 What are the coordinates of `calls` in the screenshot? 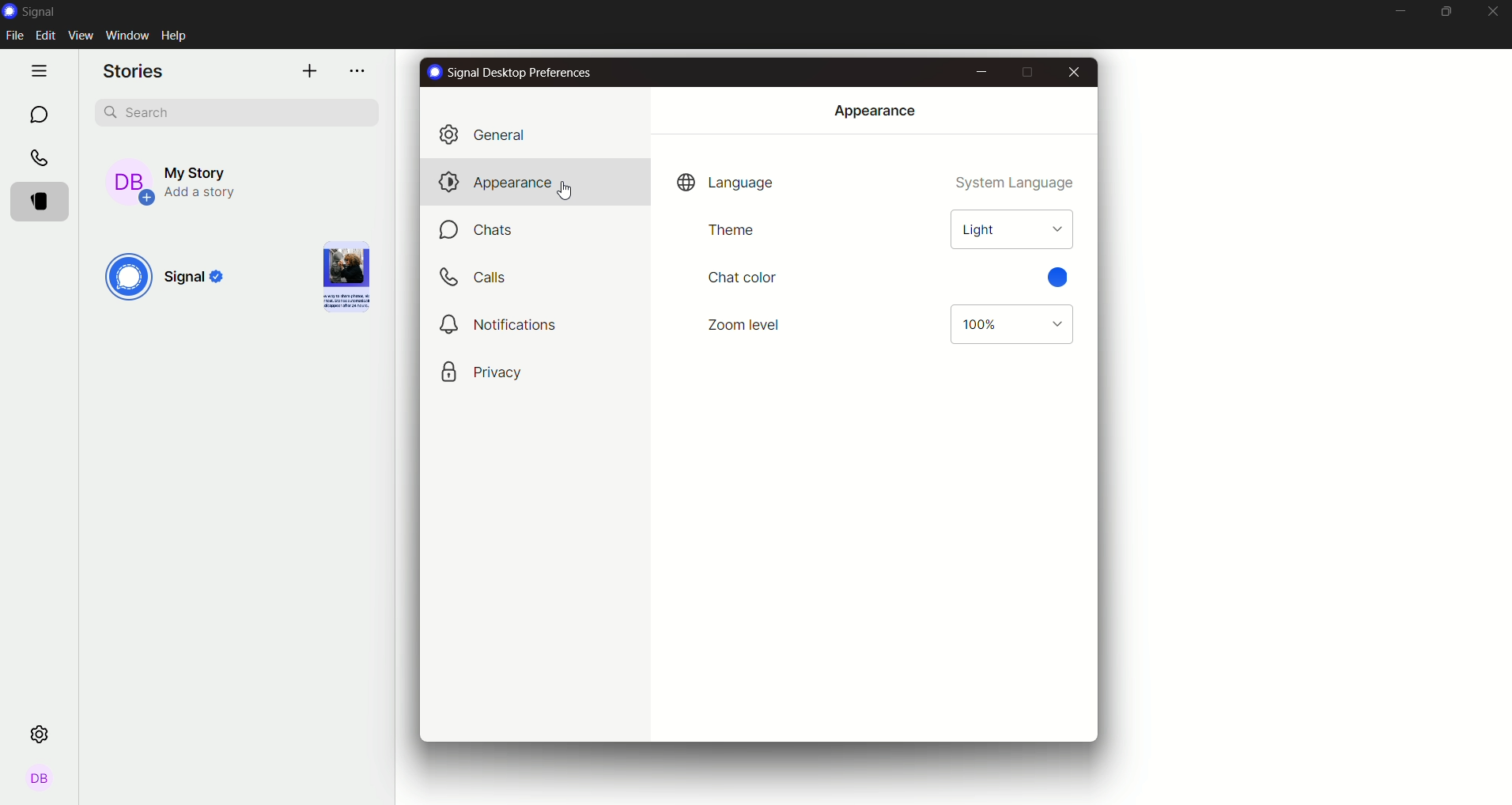 It's located at (478, 278).